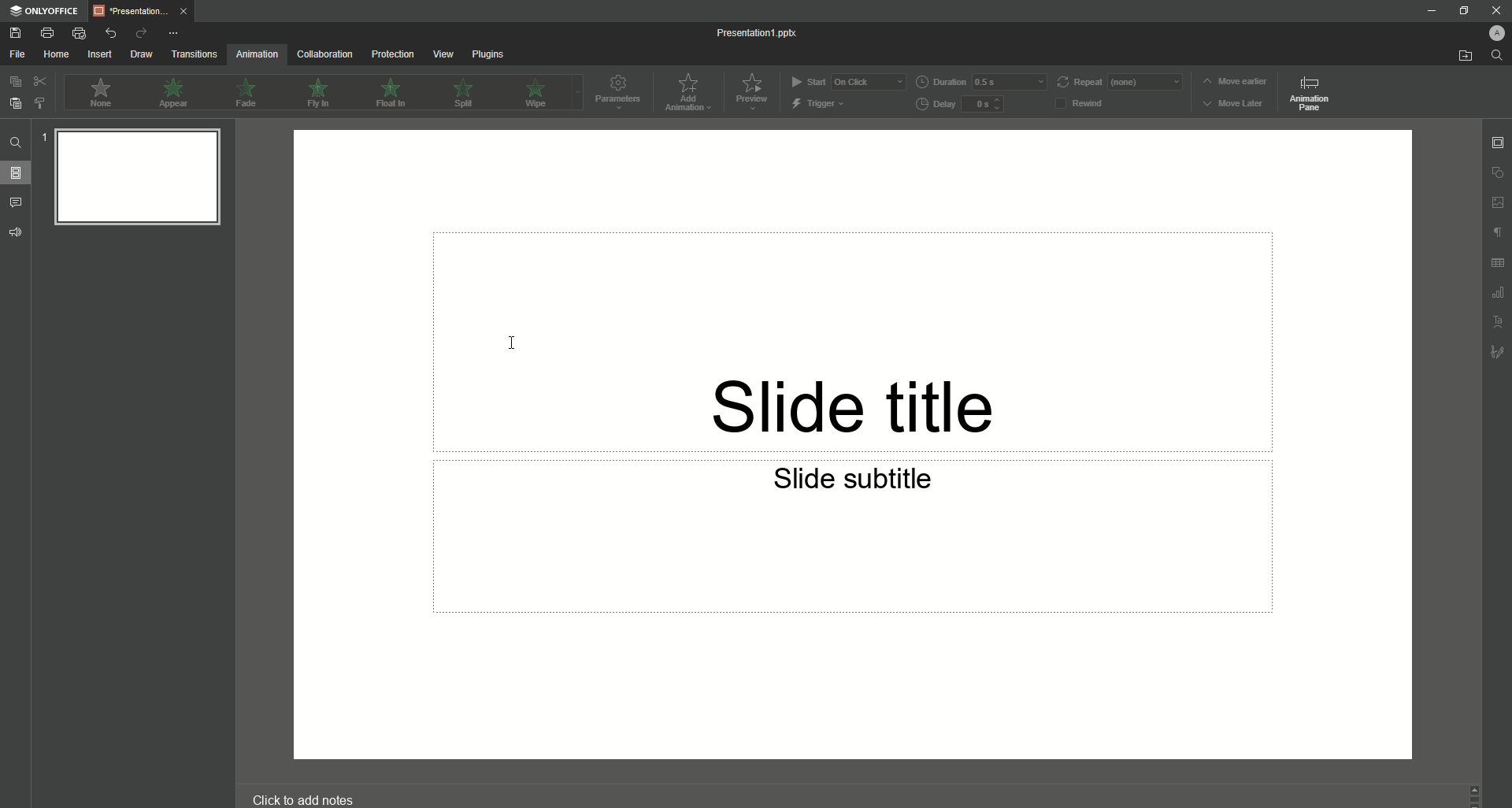  I want to click on Protection, so click(390, 55).